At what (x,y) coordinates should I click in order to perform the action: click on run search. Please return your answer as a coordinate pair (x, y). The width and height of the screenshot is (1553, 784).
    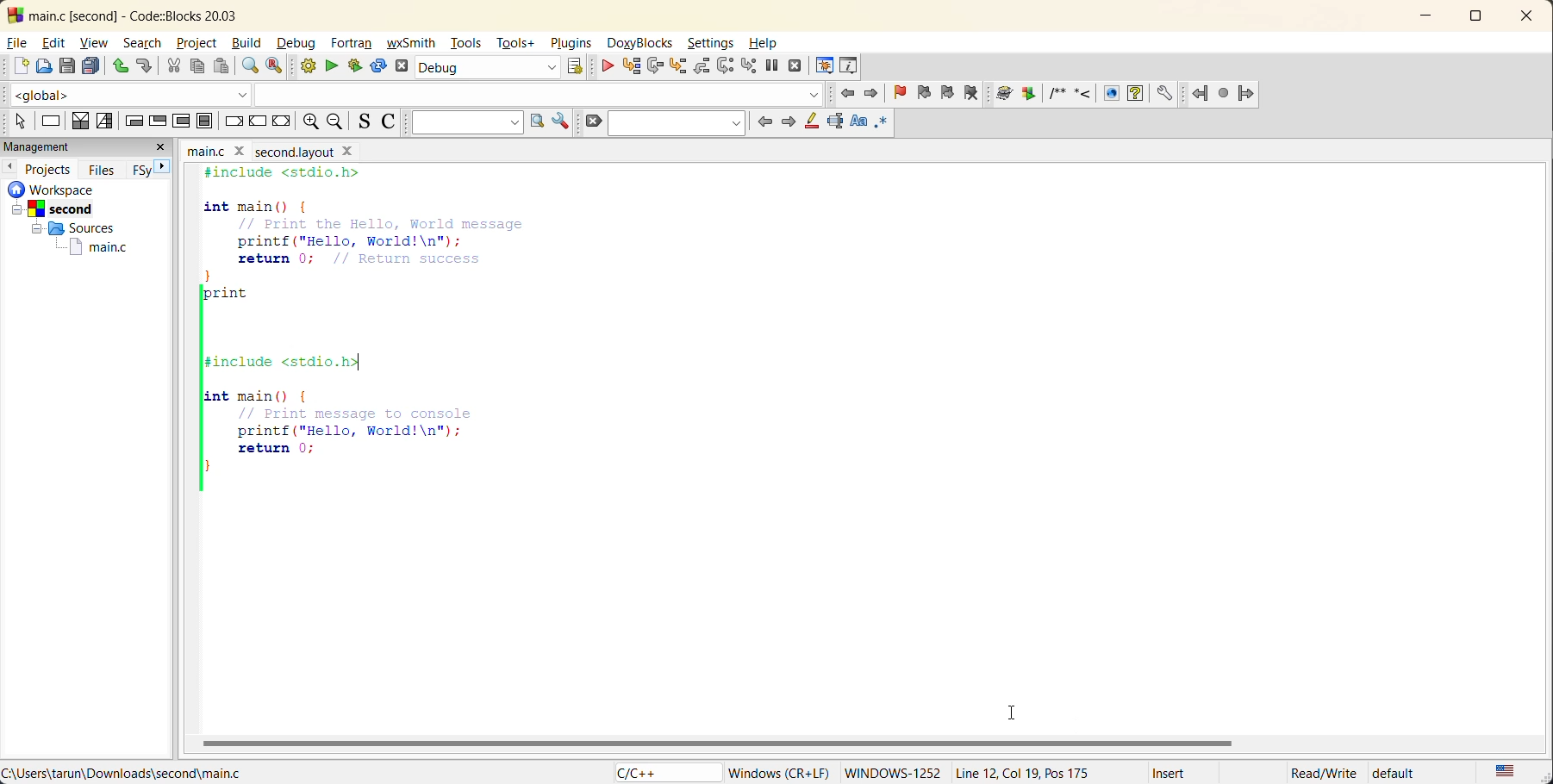
    Looking at the image, I should click on (535, 122).